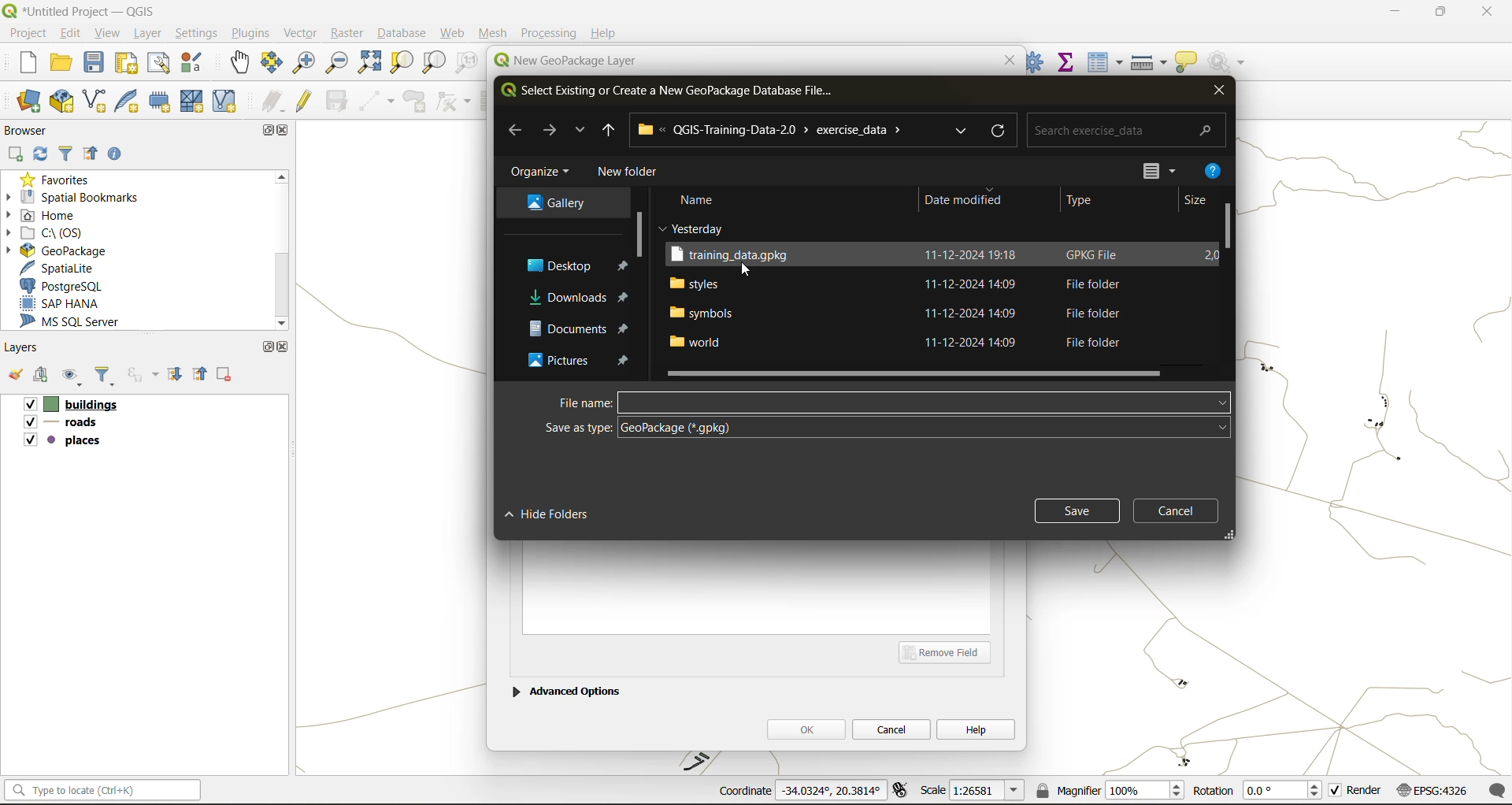 The height and width of the screenshot is (805, 1512). Describe the element at coordinates (1258, 792) in the screenshot. I see `rotation` at that location.